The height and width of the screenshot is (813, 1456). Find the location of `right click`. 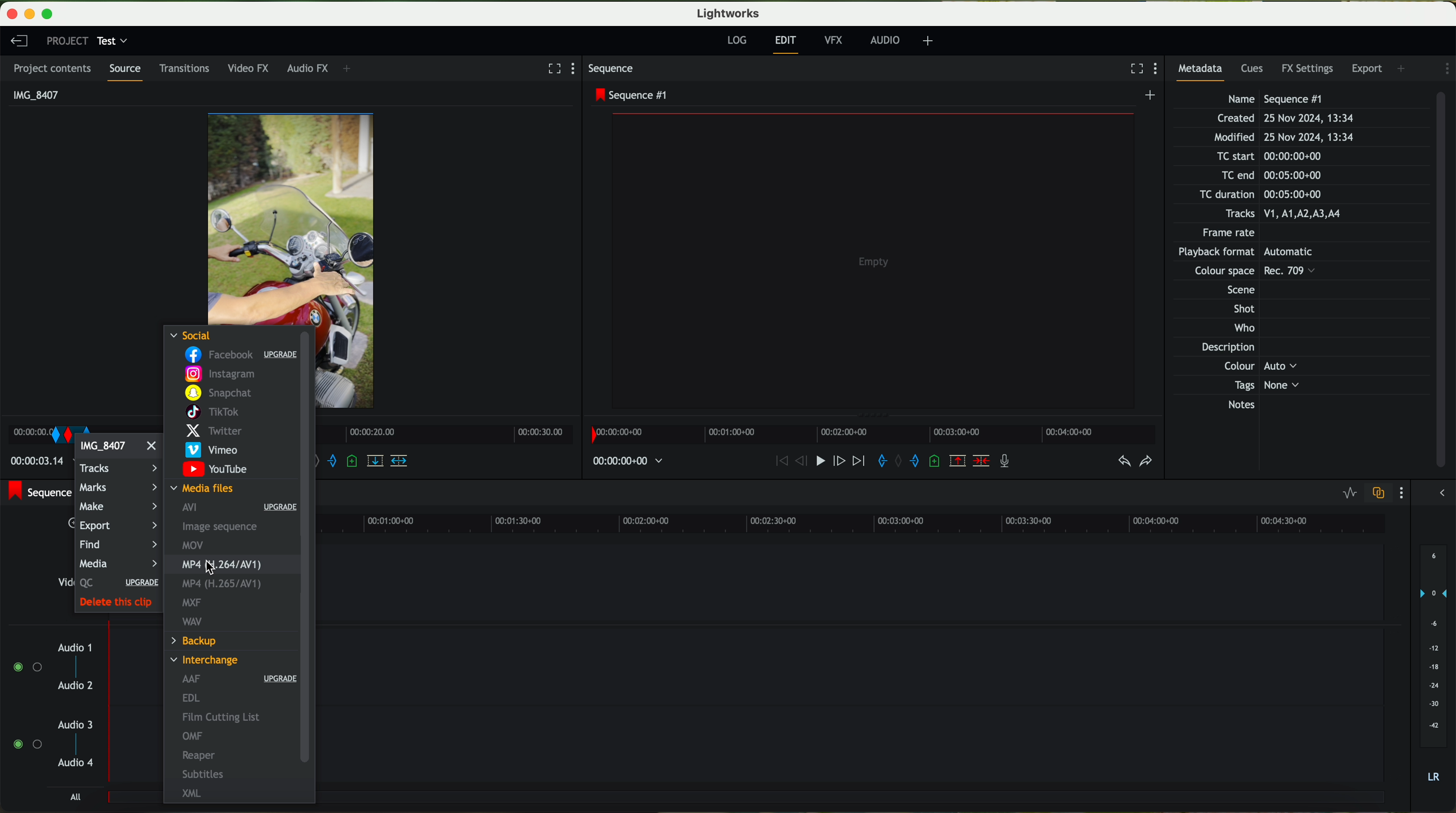

right click is located at coordinates (53, 430).